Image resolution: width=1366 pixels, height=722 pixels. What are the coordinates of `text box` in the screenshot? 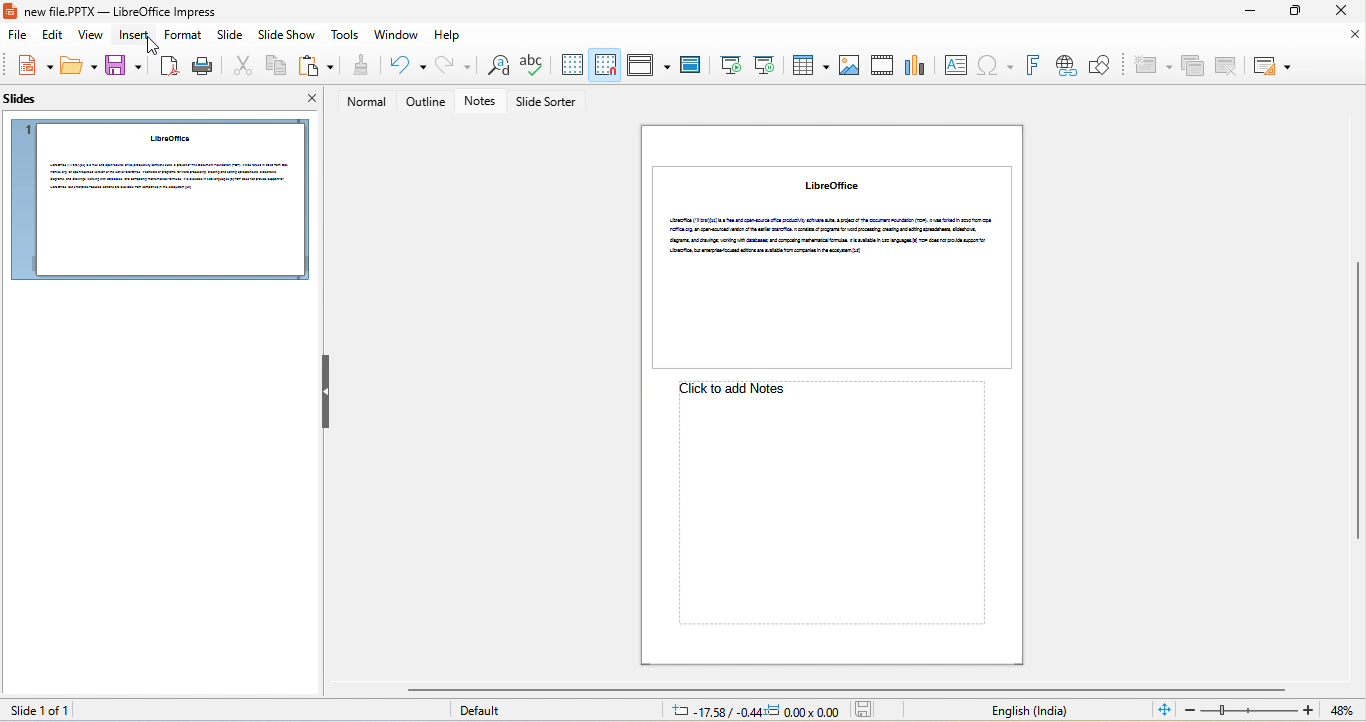 It's located at (955, 65).